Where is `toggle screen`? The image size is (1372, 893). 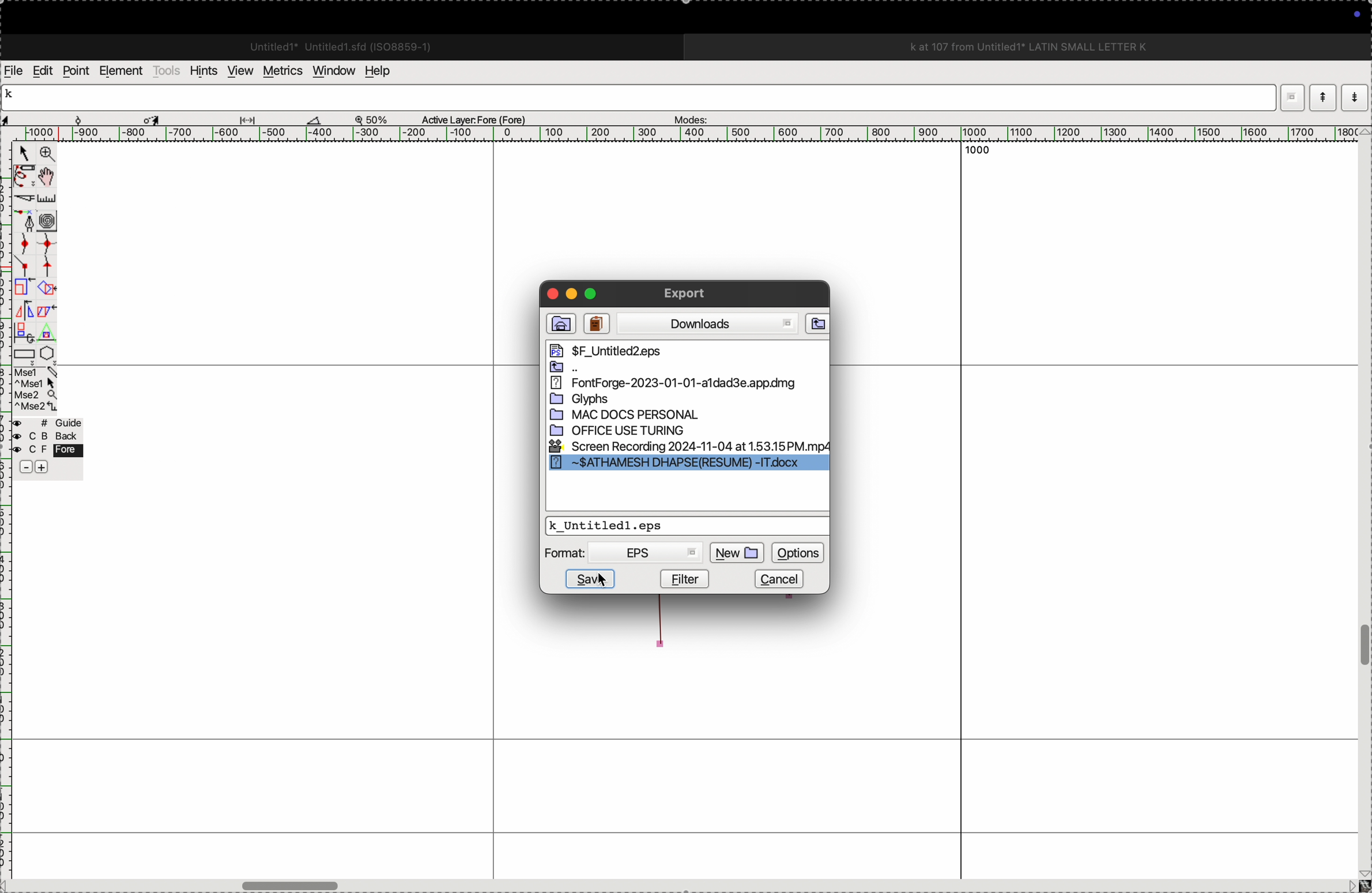 toggle screen is located at coordinates (293, 884).